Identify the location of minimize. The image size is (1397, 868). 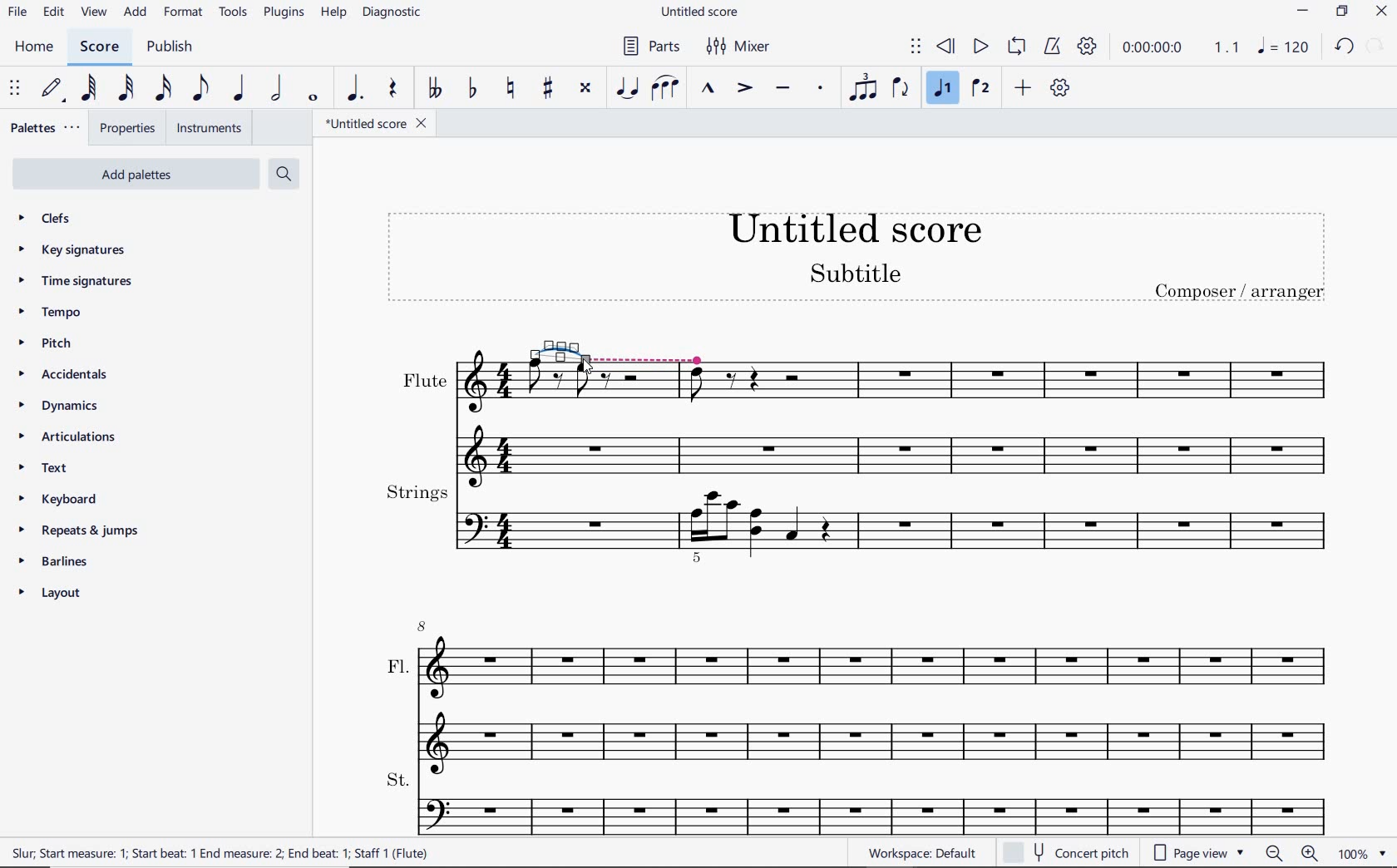
(1304, 13).